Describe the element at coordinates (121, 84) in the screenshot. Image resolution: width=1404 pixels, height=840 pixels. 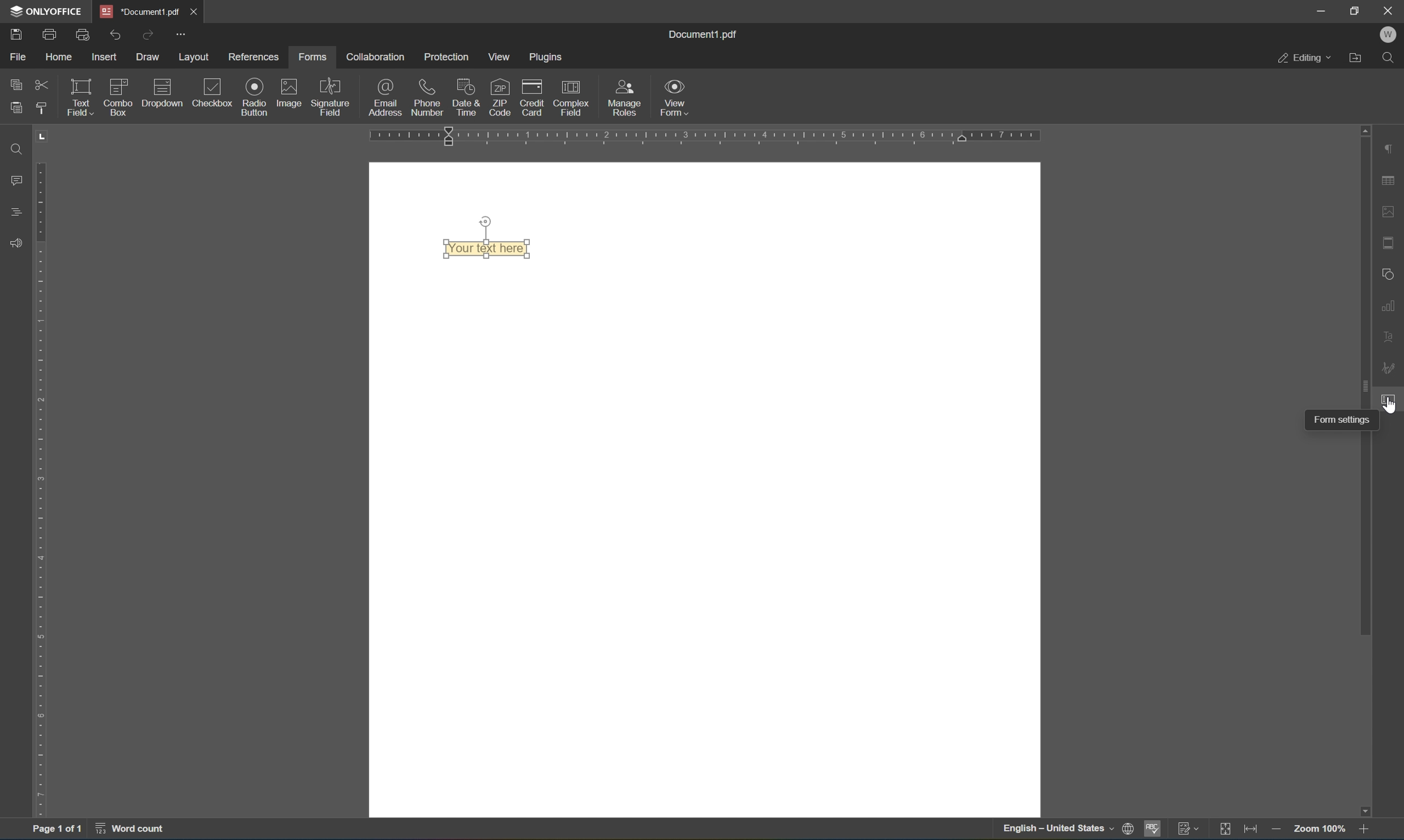
I see `icon` at that location.